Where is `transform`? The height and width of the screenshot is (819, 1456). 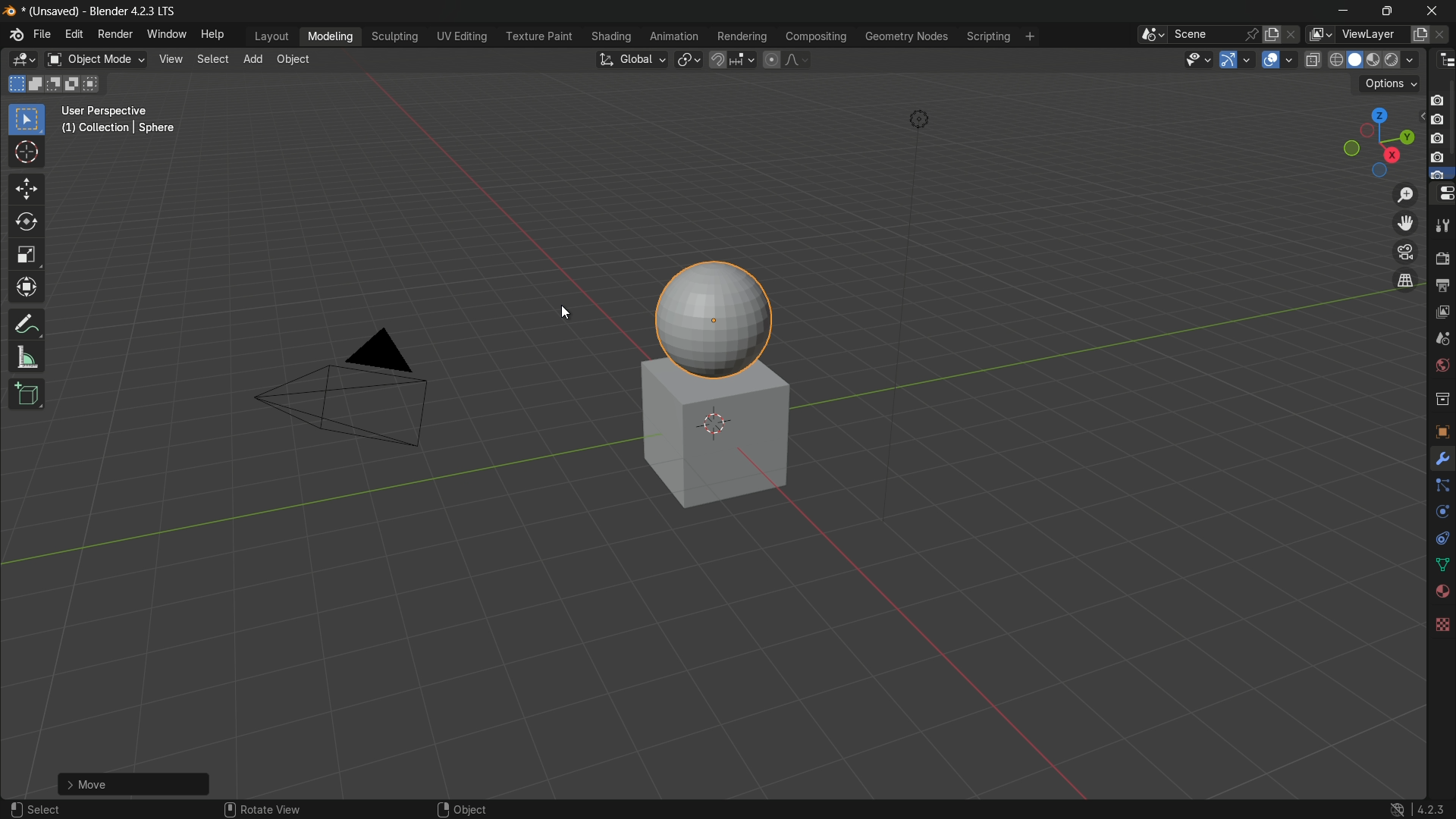
transform is located at coordinates (27, 287).